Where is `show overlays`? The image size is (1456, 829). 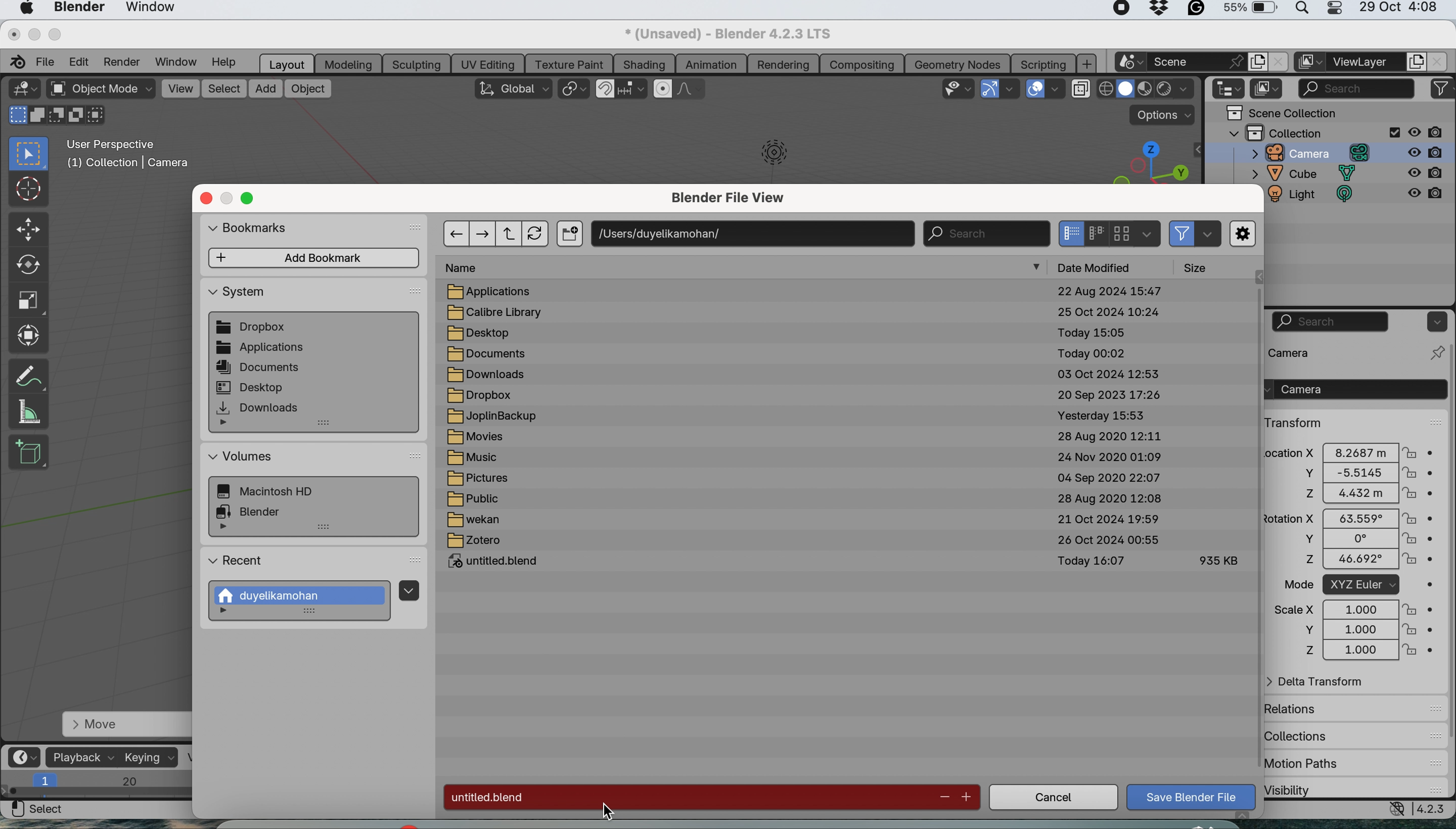
show overlays is located at coordinates (1036, 89).